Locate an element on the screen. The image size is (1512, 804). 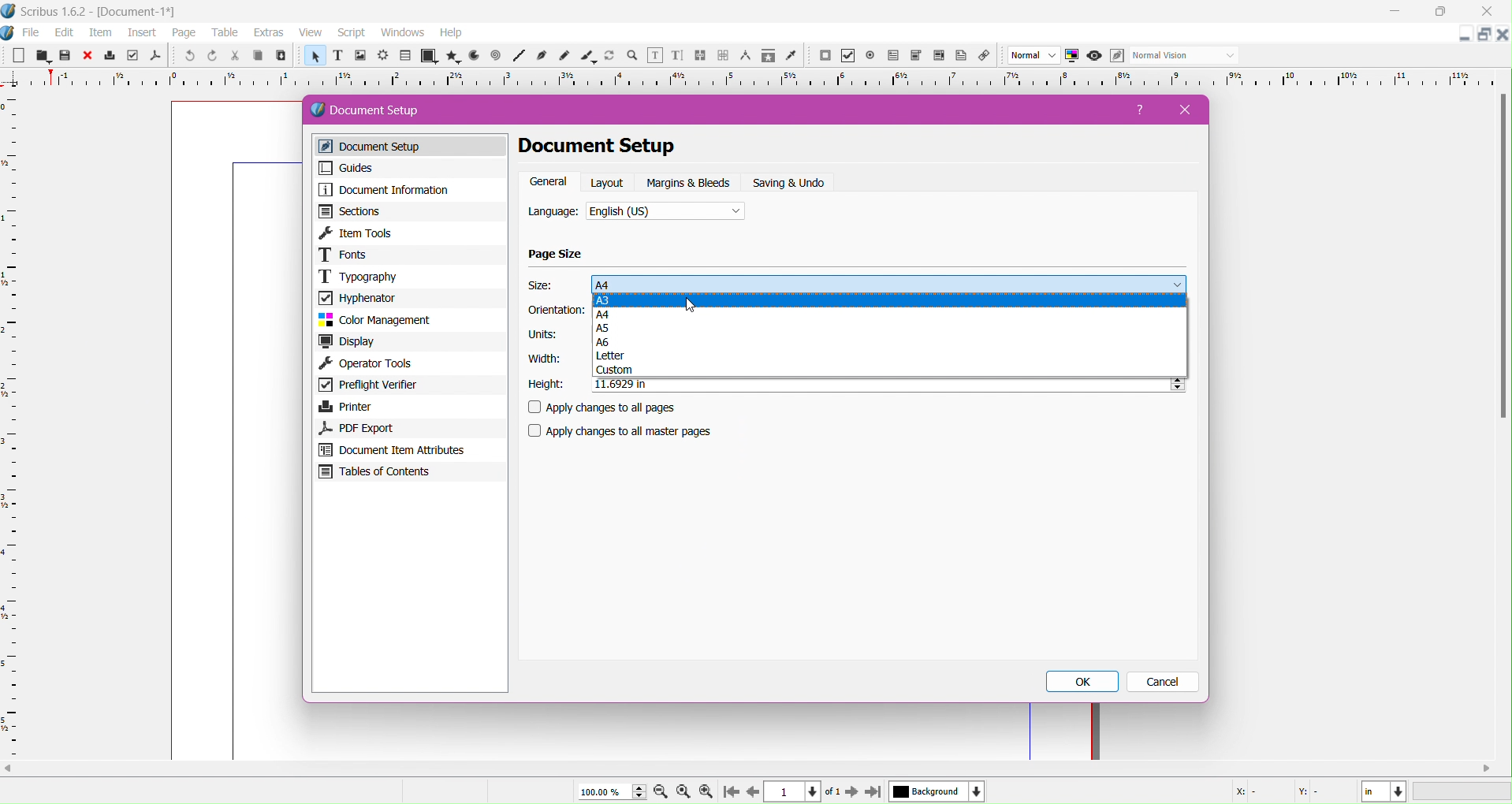
Language is located at coordinates (553, 213).